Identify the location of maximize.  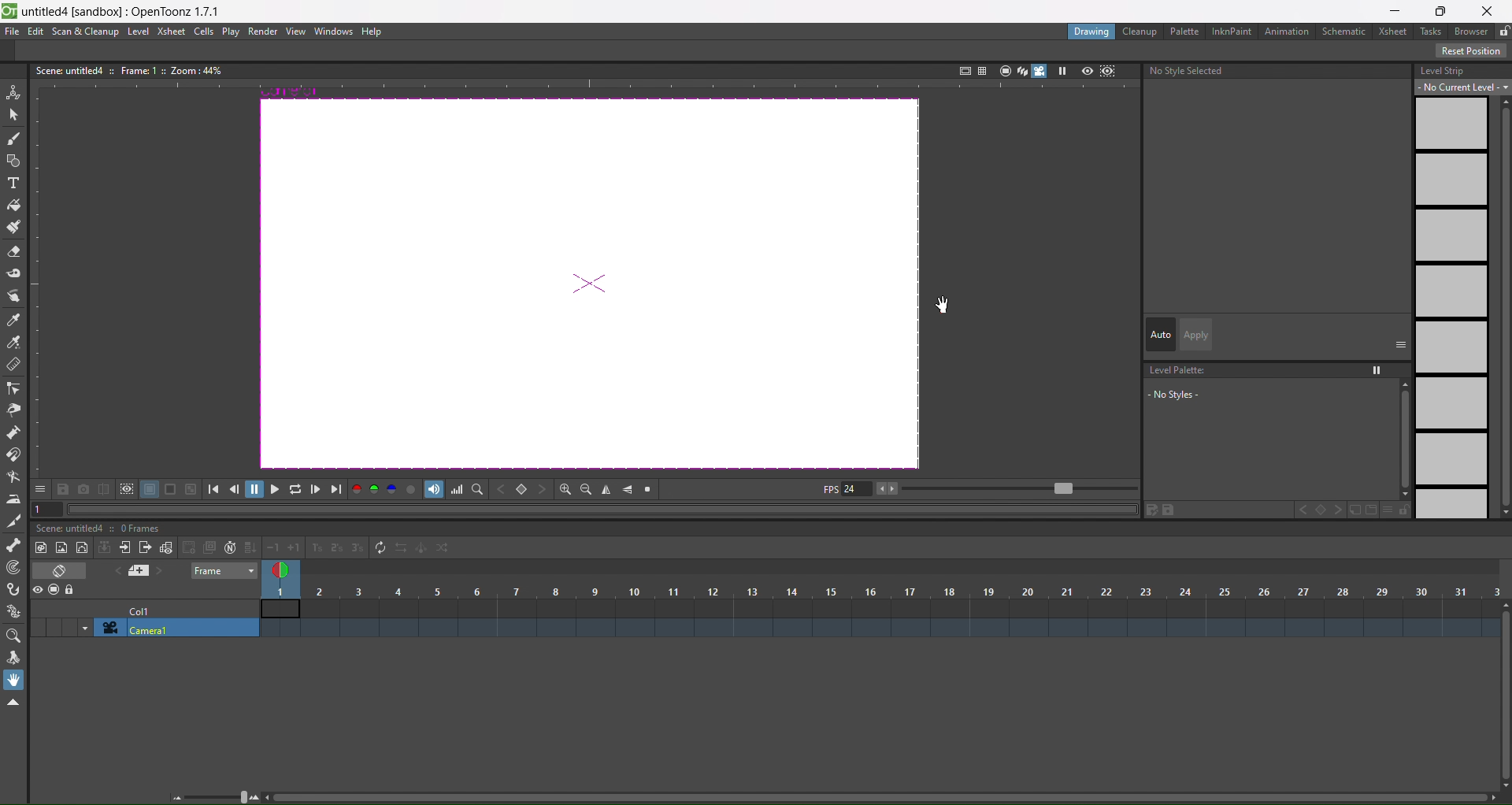
(1443, 10).